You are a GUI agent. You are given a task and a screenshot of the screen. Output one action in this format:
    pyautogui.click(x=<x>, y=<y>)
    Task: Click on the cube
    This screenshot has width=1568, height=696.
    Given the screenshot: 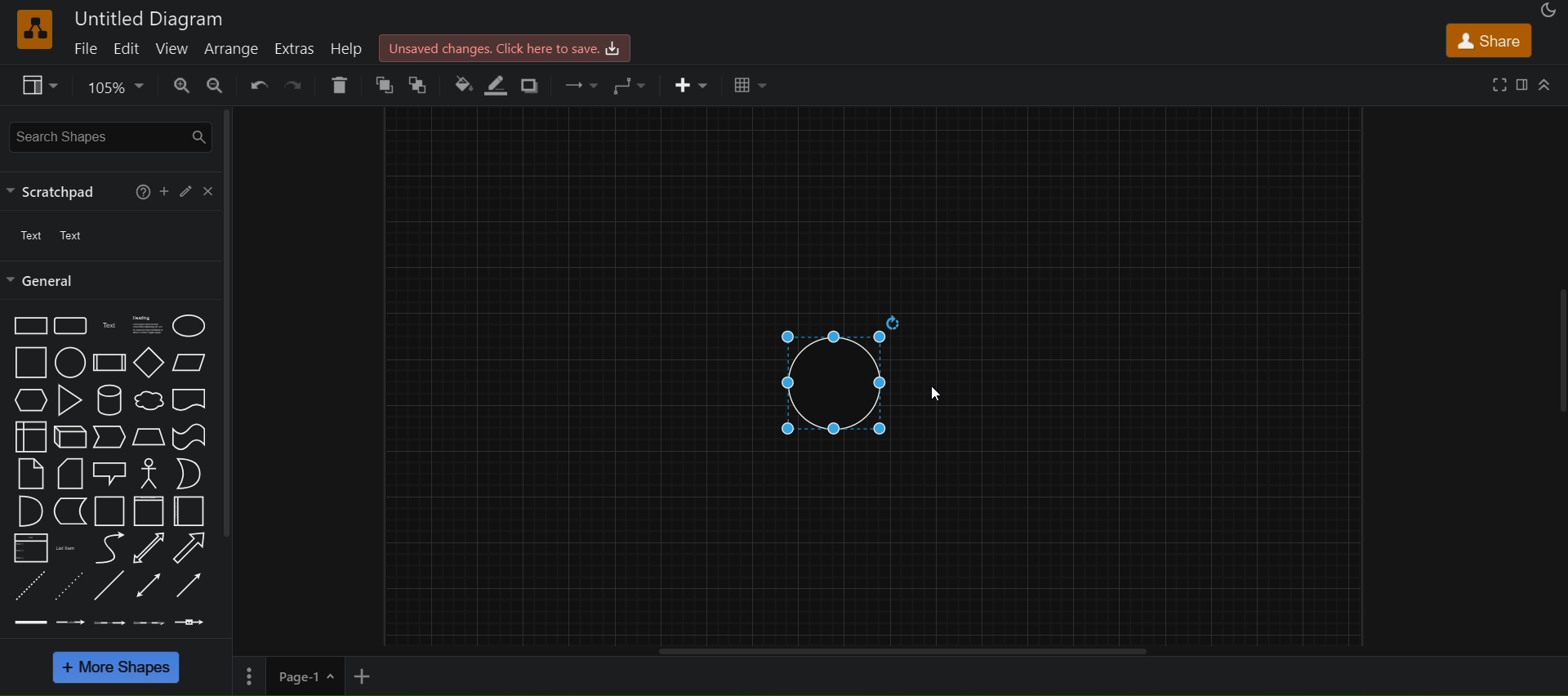 What is the action you would take?
    pyautogui.click(x=68, y=437)
    